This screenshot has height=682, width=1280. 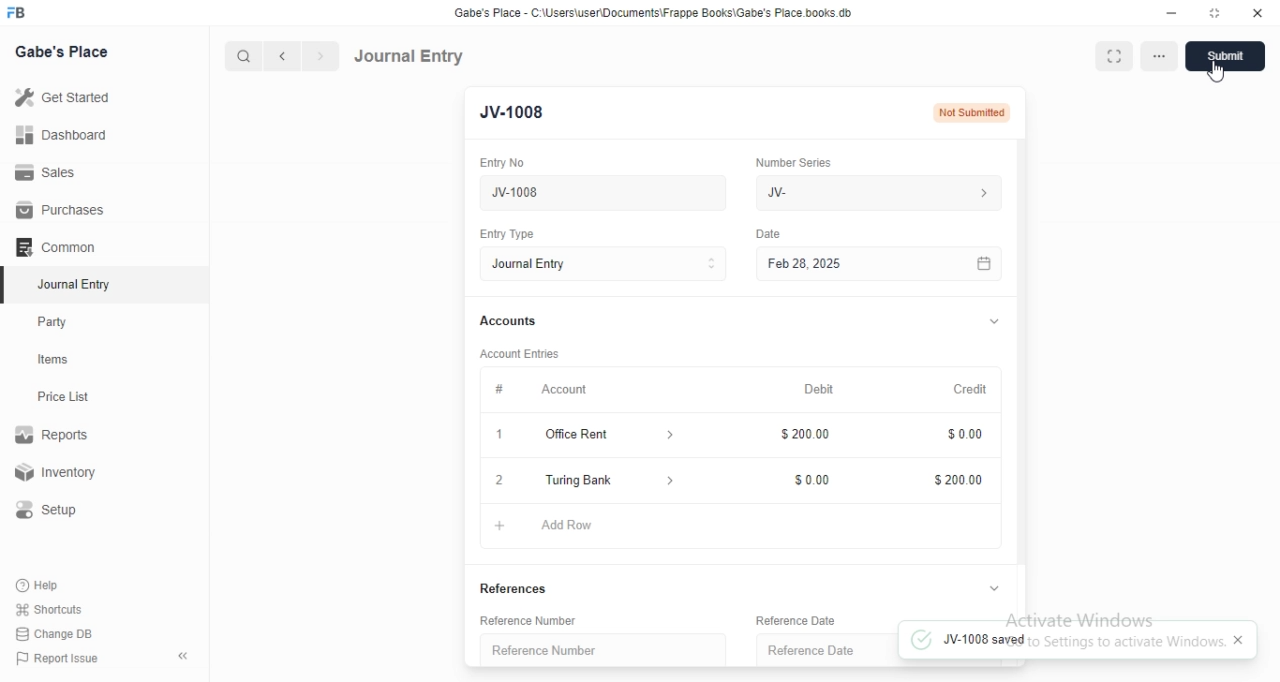 I want to click on ‘Gabe's Place - C\UsersiuserDocuments\Frappe Books\Gabe's Place books db, so click(x=669, y=12).